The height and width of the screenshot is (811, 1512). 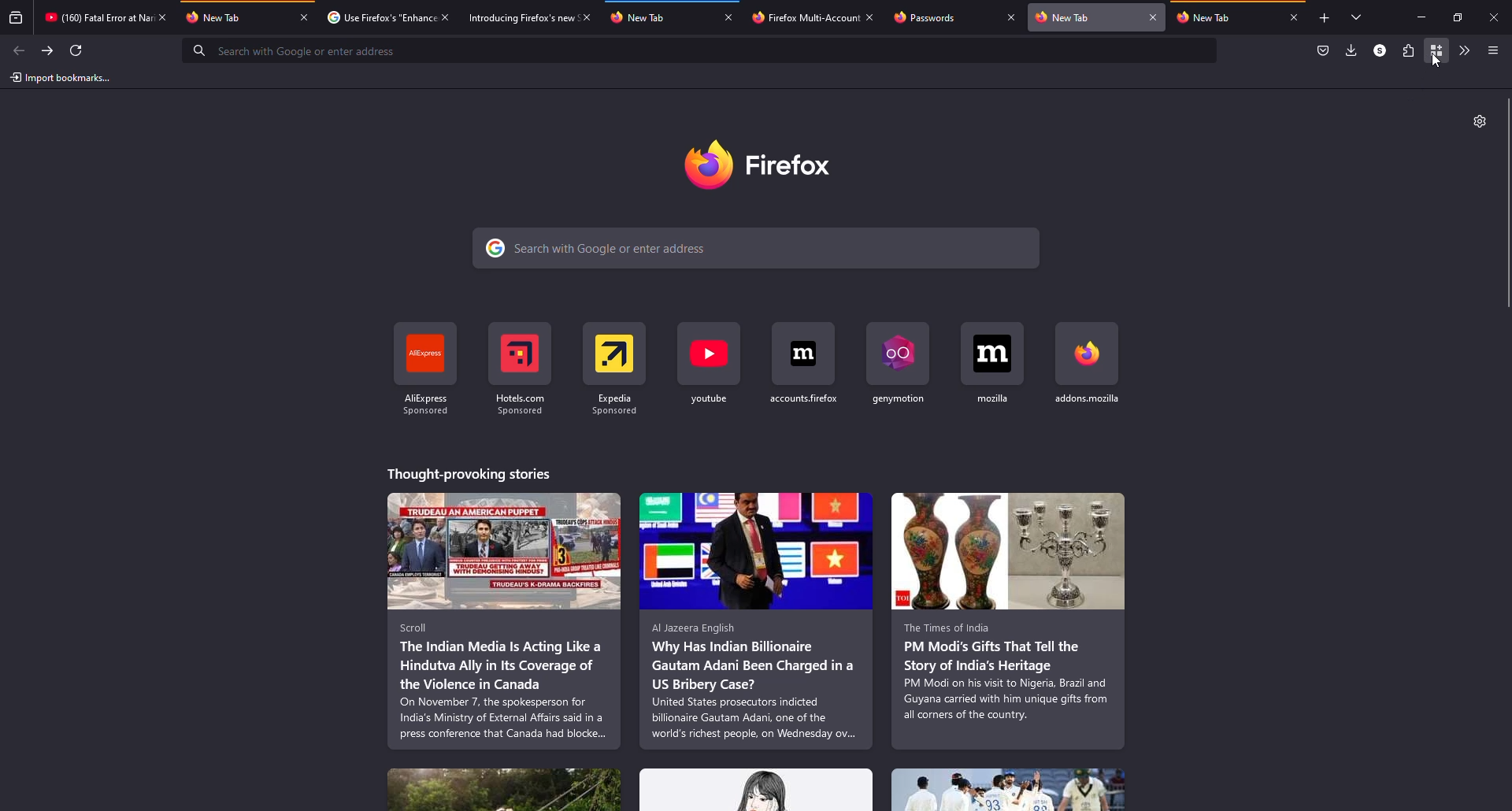 I want to click on more tools, so click(x=1462, y=50).